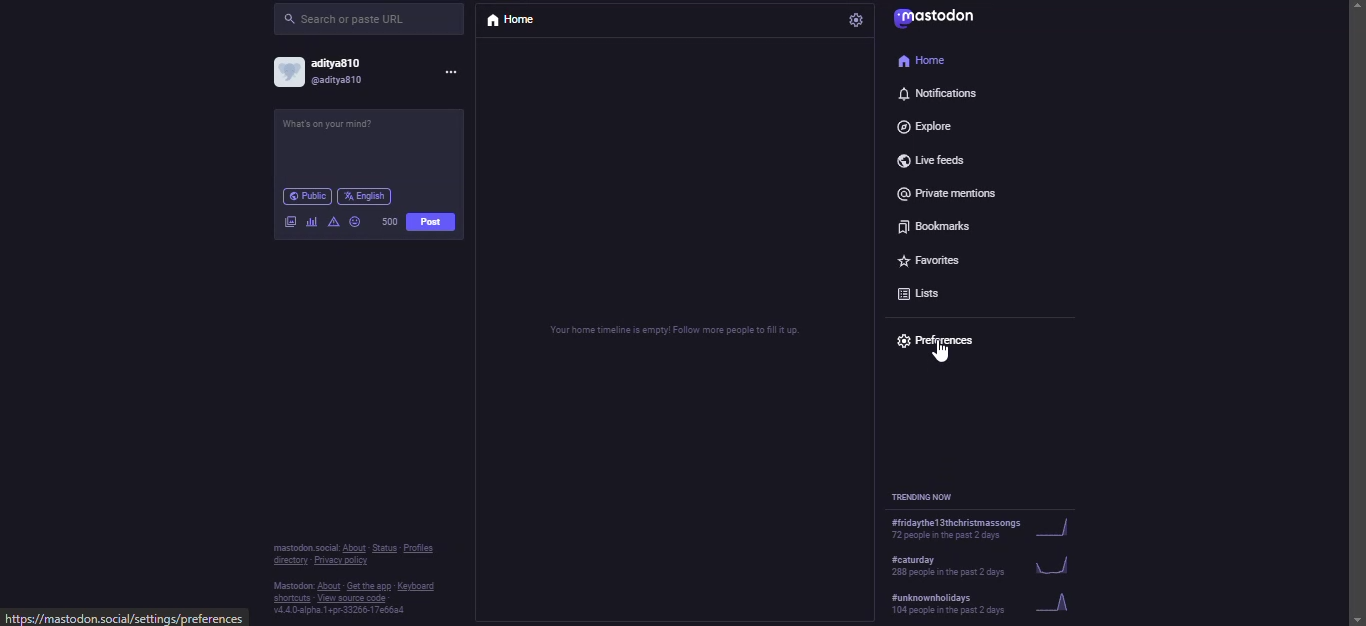 The image size is (1366, 626). I want to click on Your home timeline is empty! Follow more people to fill it up., so click(669, 332).